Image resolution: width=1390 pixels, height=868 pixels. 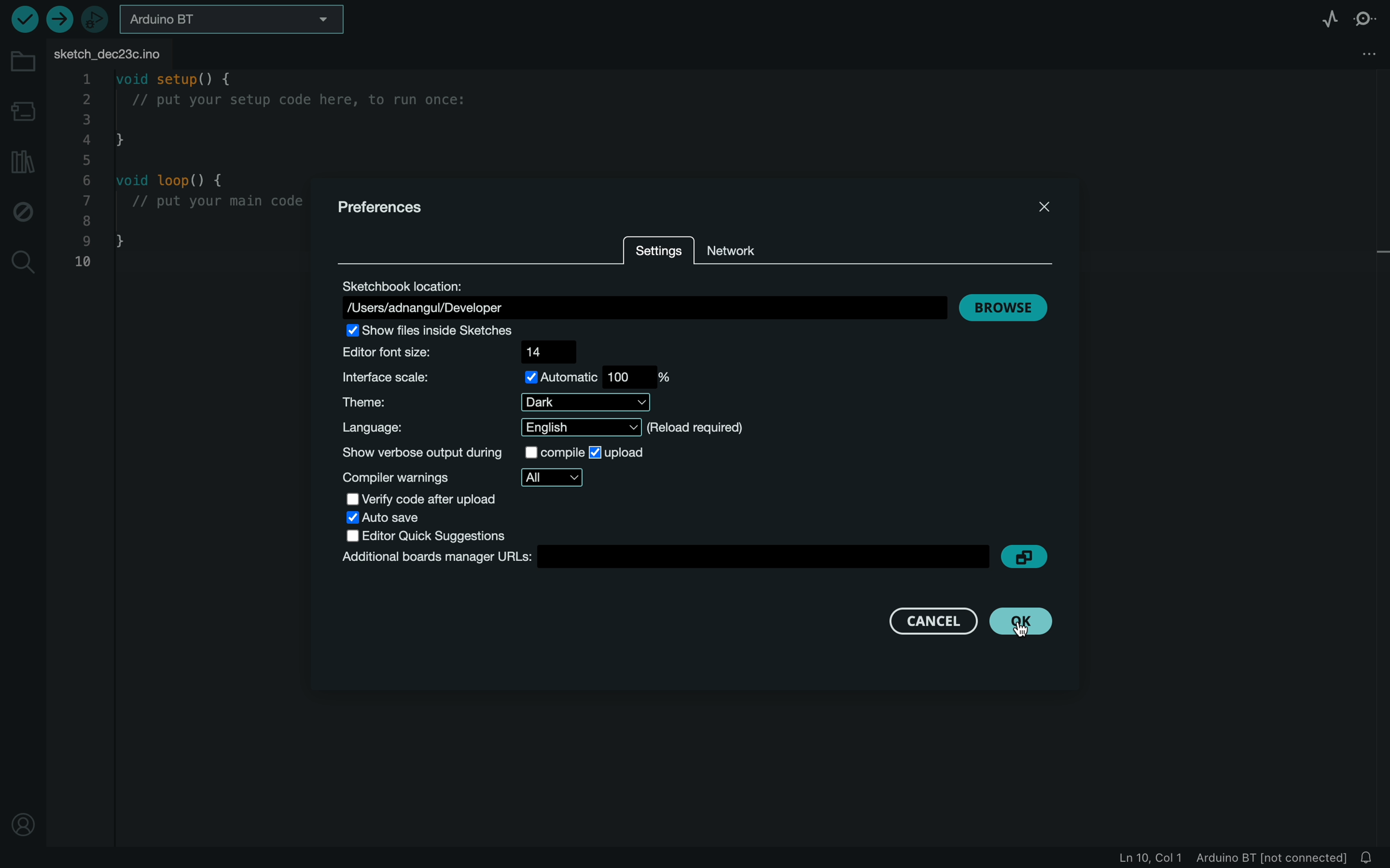 What do you see at coordinates (25, 210) in the screenshot?
I see `debug` at bounding box center [25, 210].